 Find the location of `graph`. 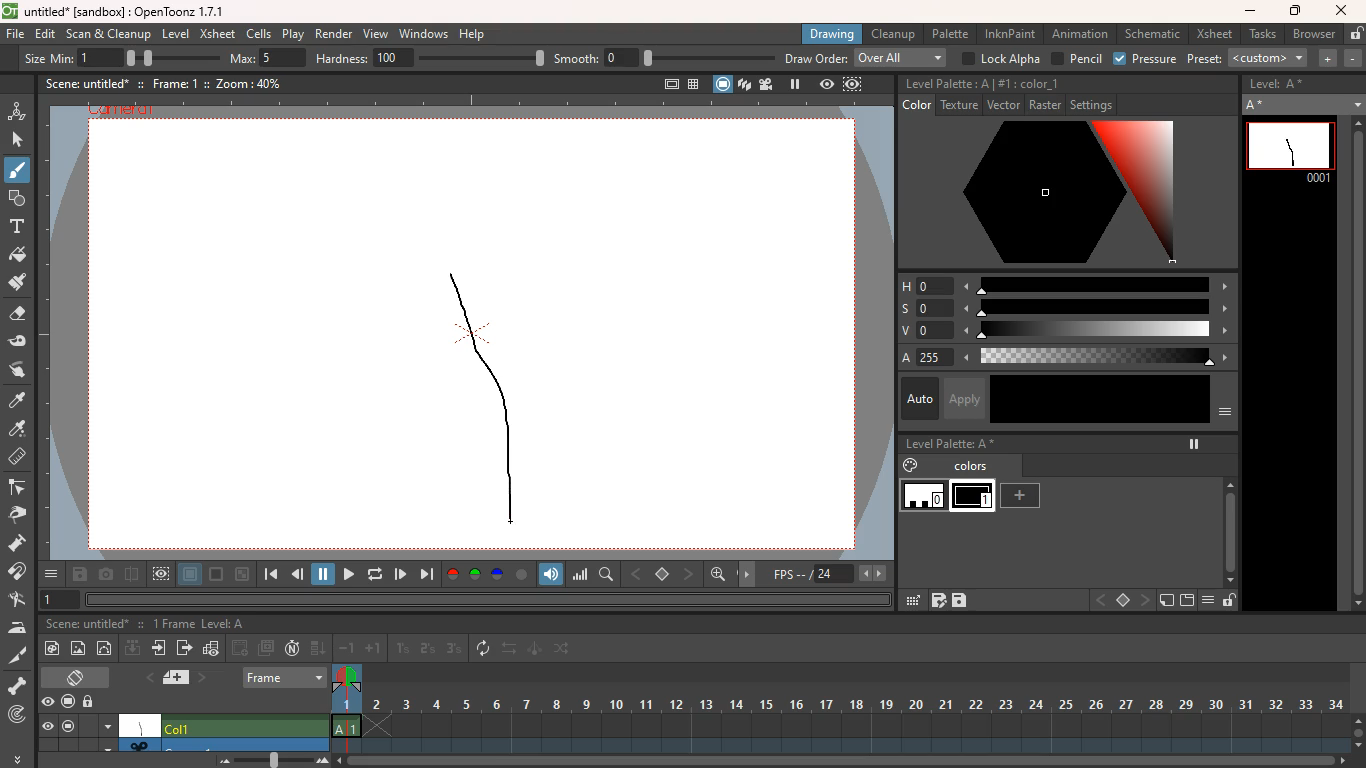

graph is located at coordinates (212, 648).